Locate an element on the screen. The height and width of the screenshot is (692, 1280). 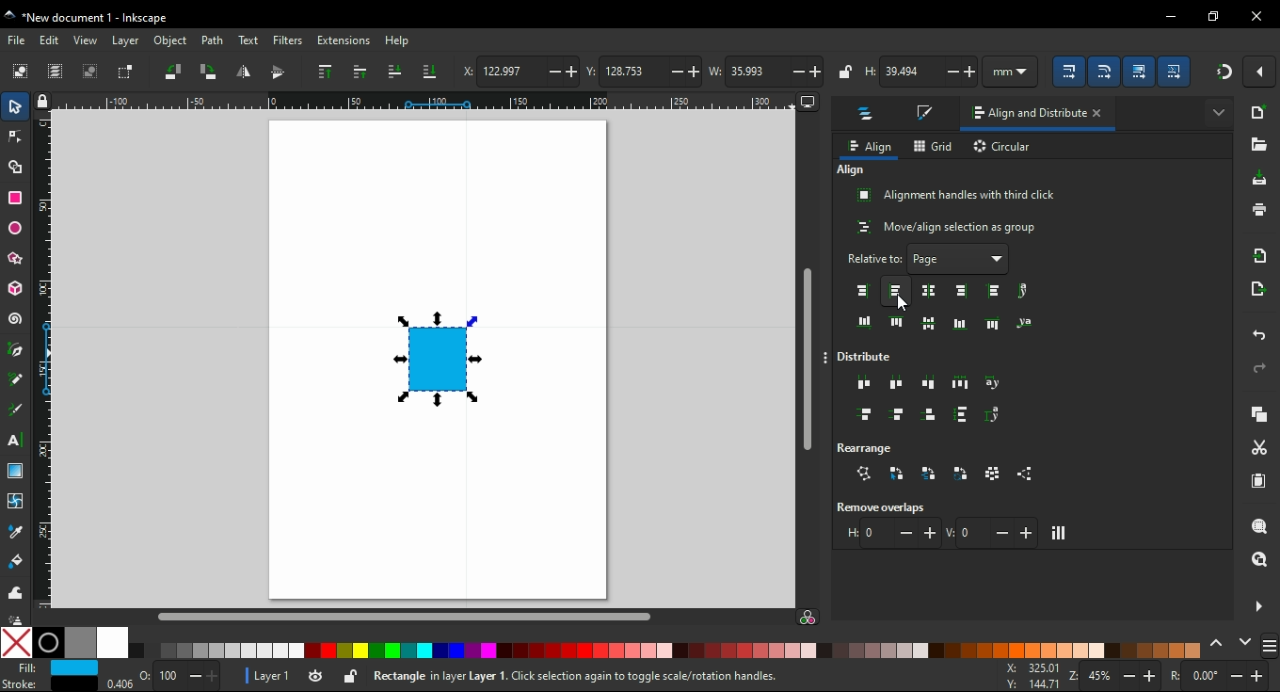
file is located at coordinates (19, 41).